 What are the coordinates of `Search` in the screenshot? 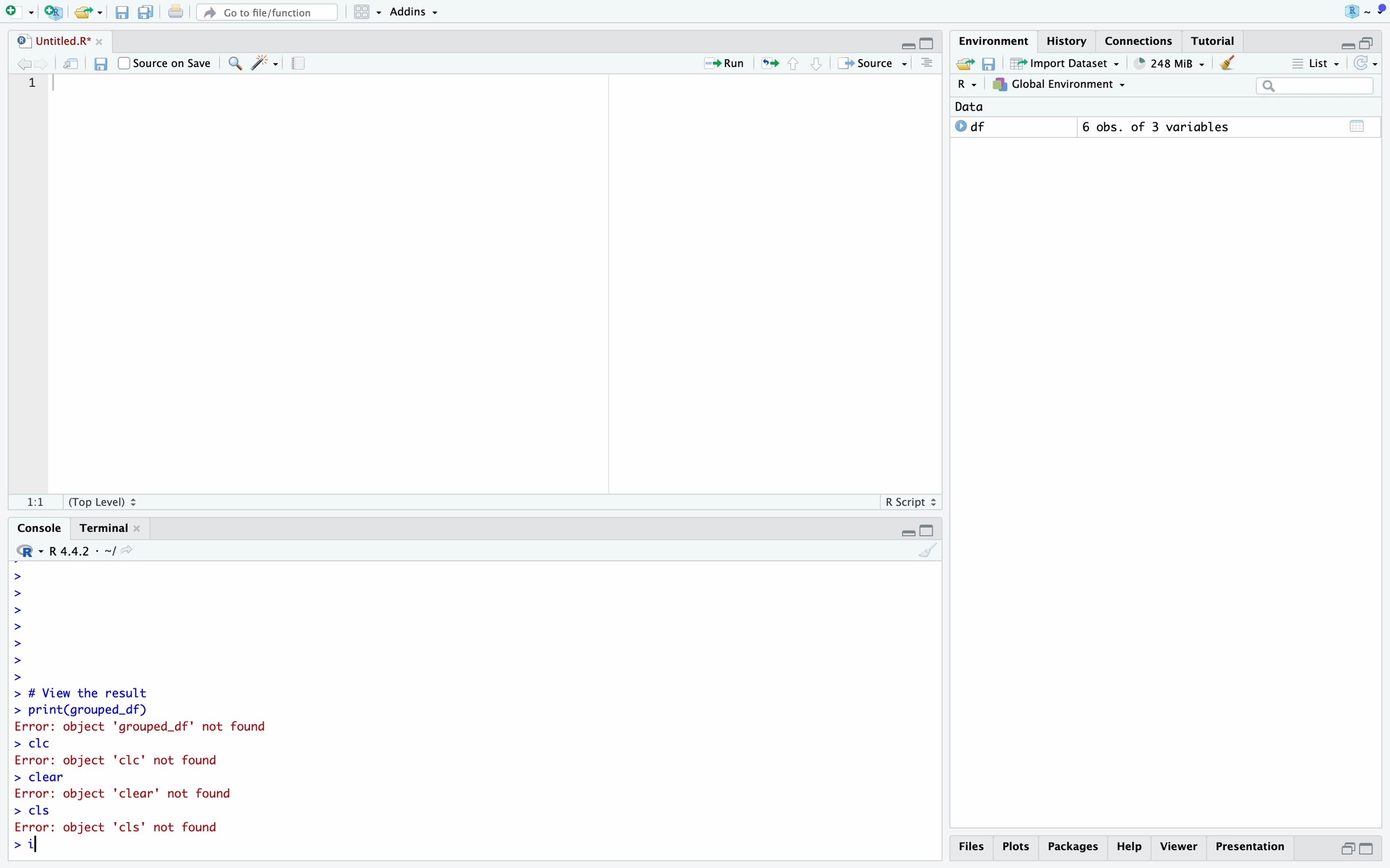 It's located at (1317, 86).